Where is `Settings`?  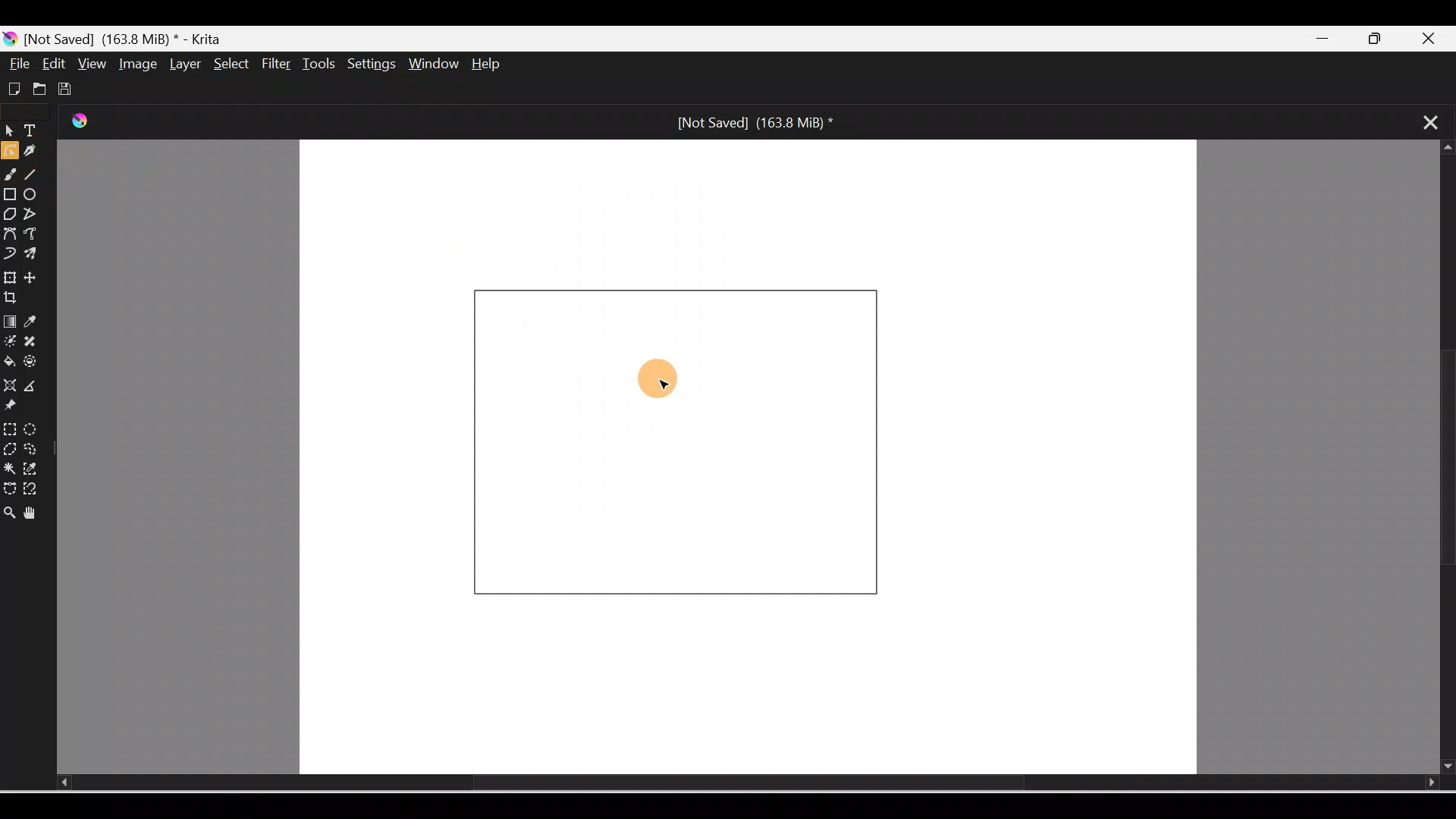 Settings is located at coordinates (373, 65).